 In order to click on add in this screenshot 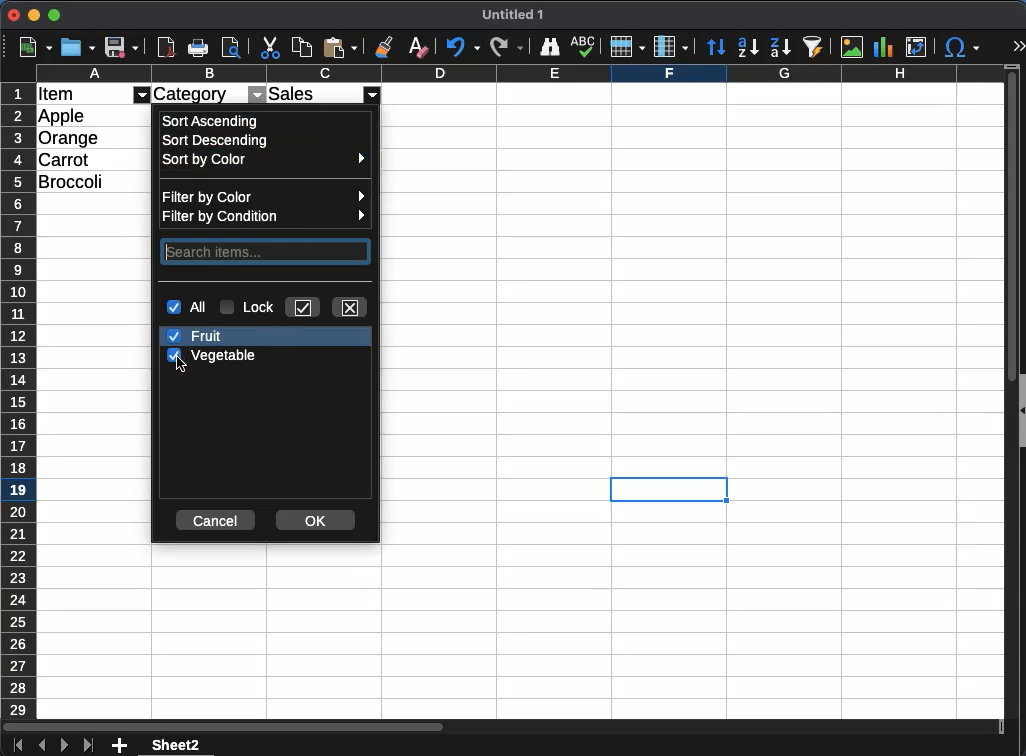, I will do `click(119, 746)`.